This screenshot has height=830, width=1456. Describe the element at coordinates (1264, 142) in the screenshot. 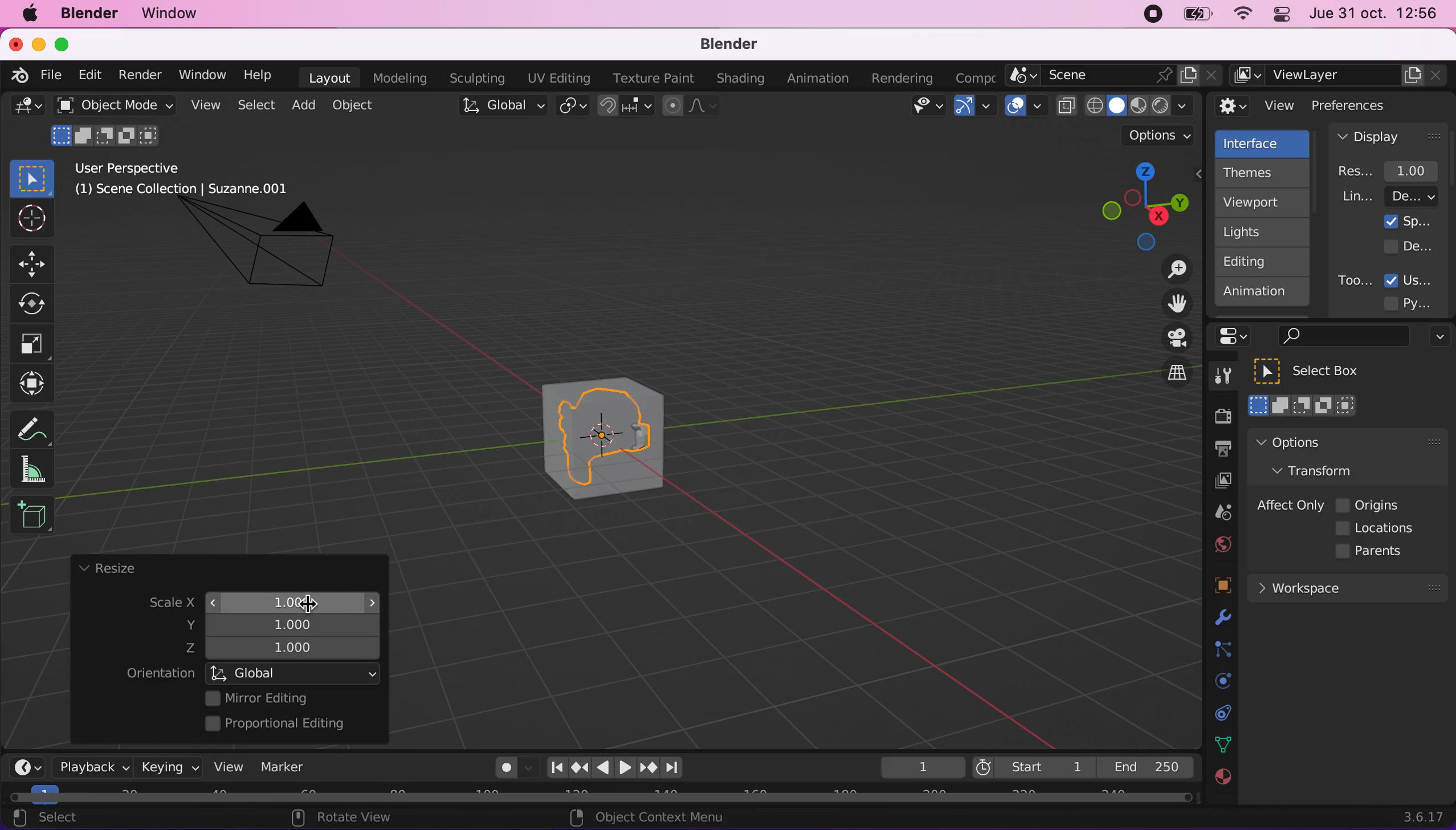

I see `interface` at that location.